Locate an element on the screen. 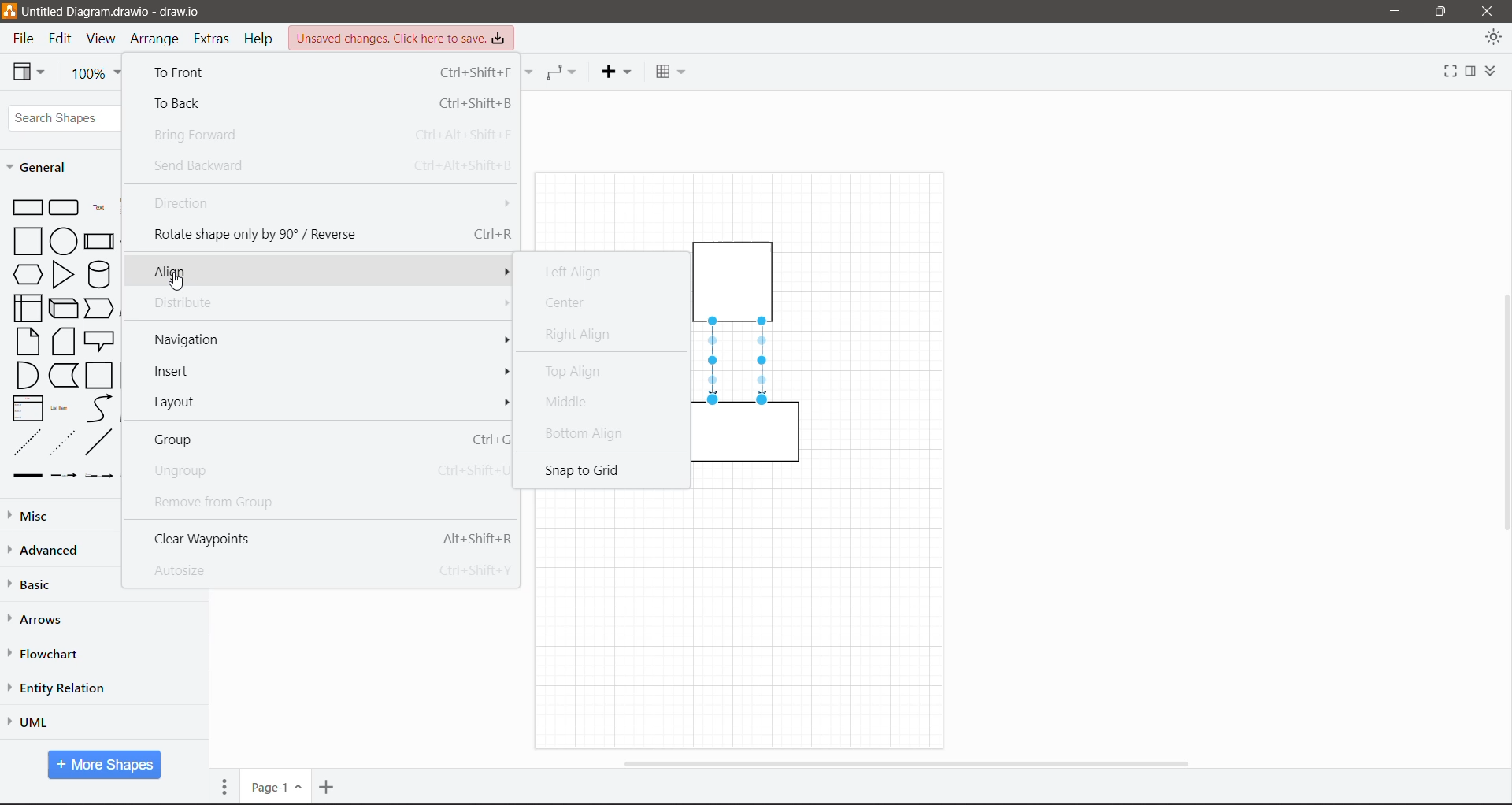 This screenshot has height=805, width=1512. Step is located at coordinates (99, 306).